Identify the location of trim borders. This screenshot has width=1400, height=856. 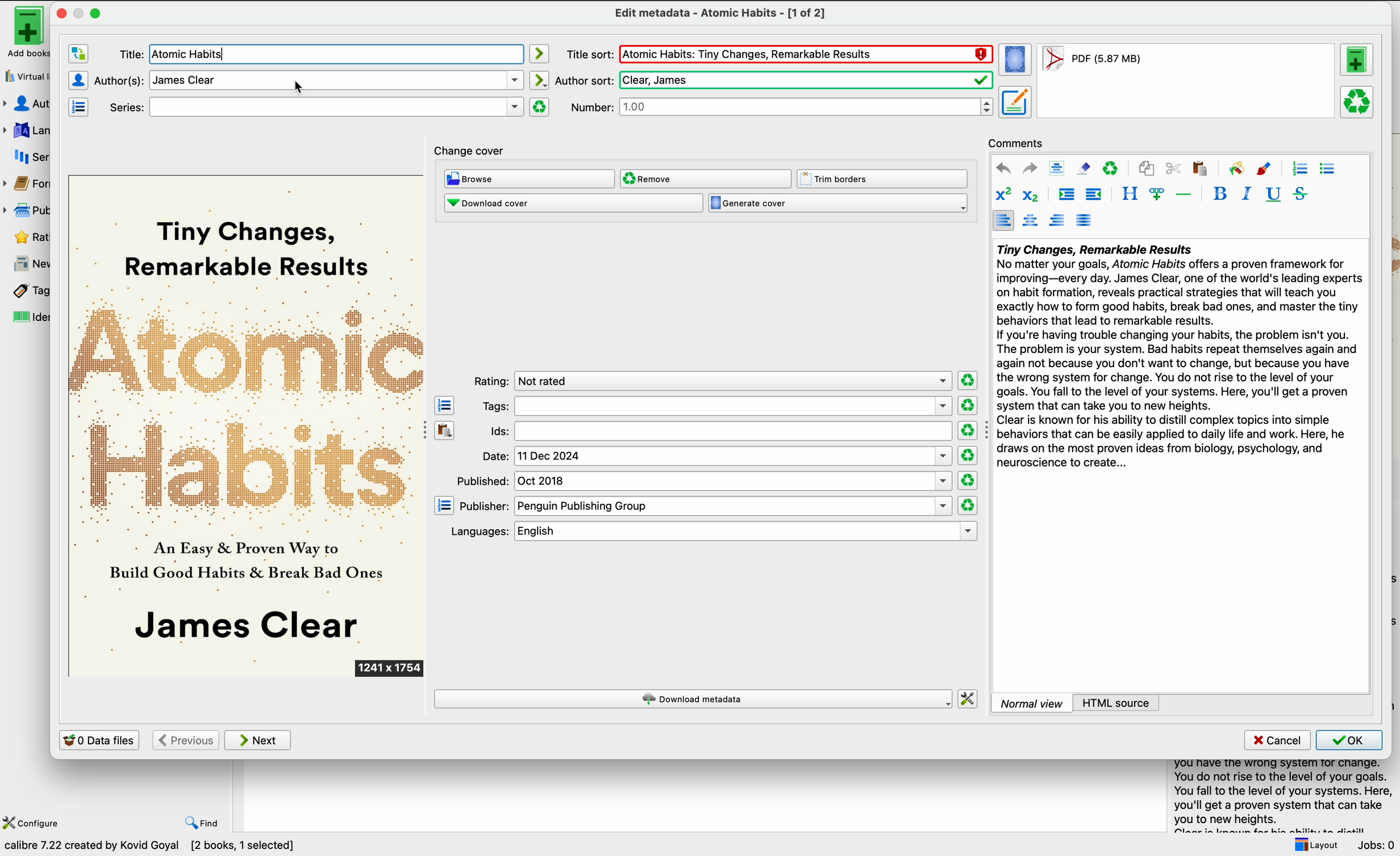
(884, 178).